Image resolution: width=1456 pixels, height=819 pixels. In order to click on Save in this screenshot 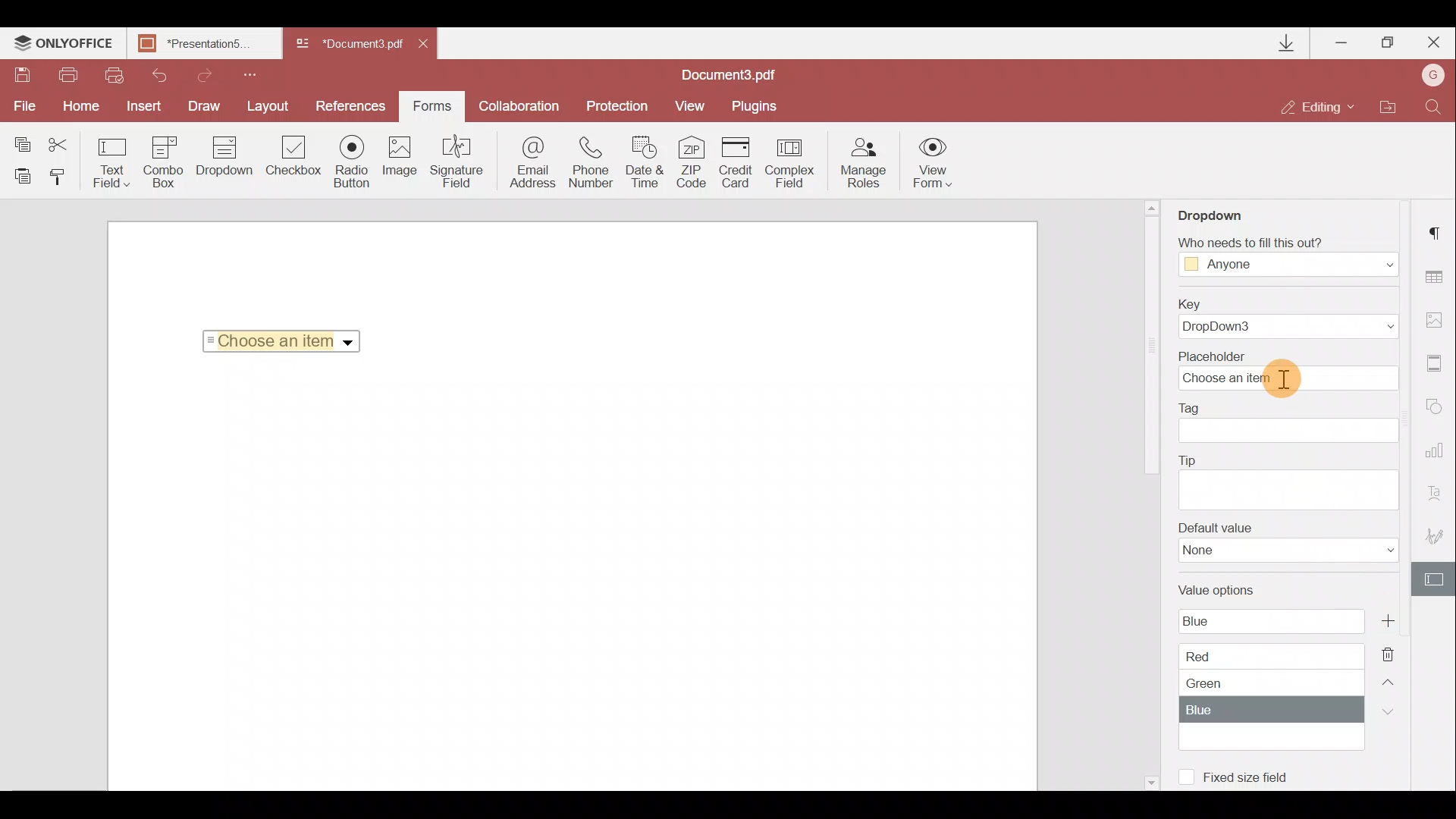, I will do `click(22, 75)`.